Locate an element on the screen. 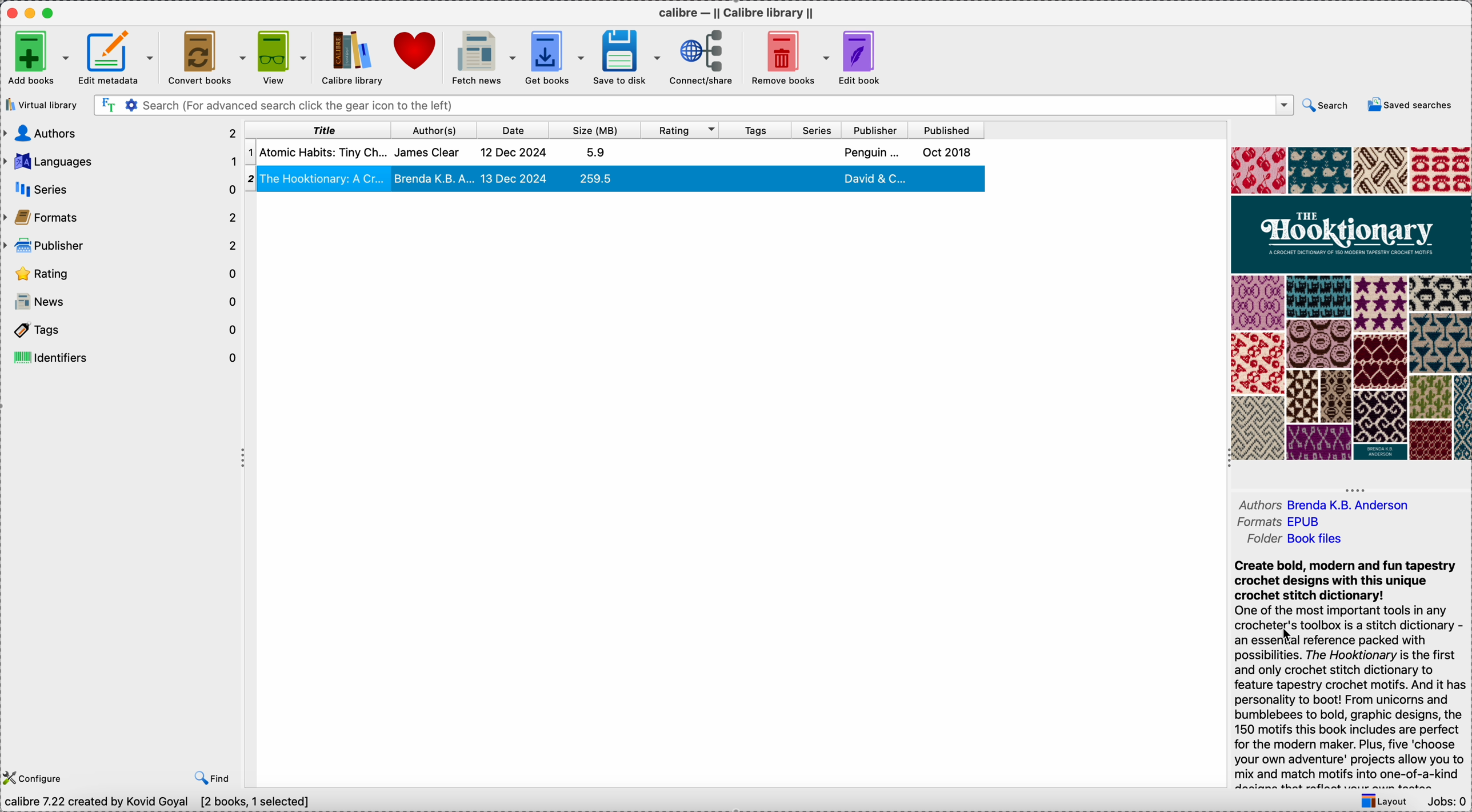 The width and height of the screenshot is (1472, 812). size is located at coordinates (598, 130).